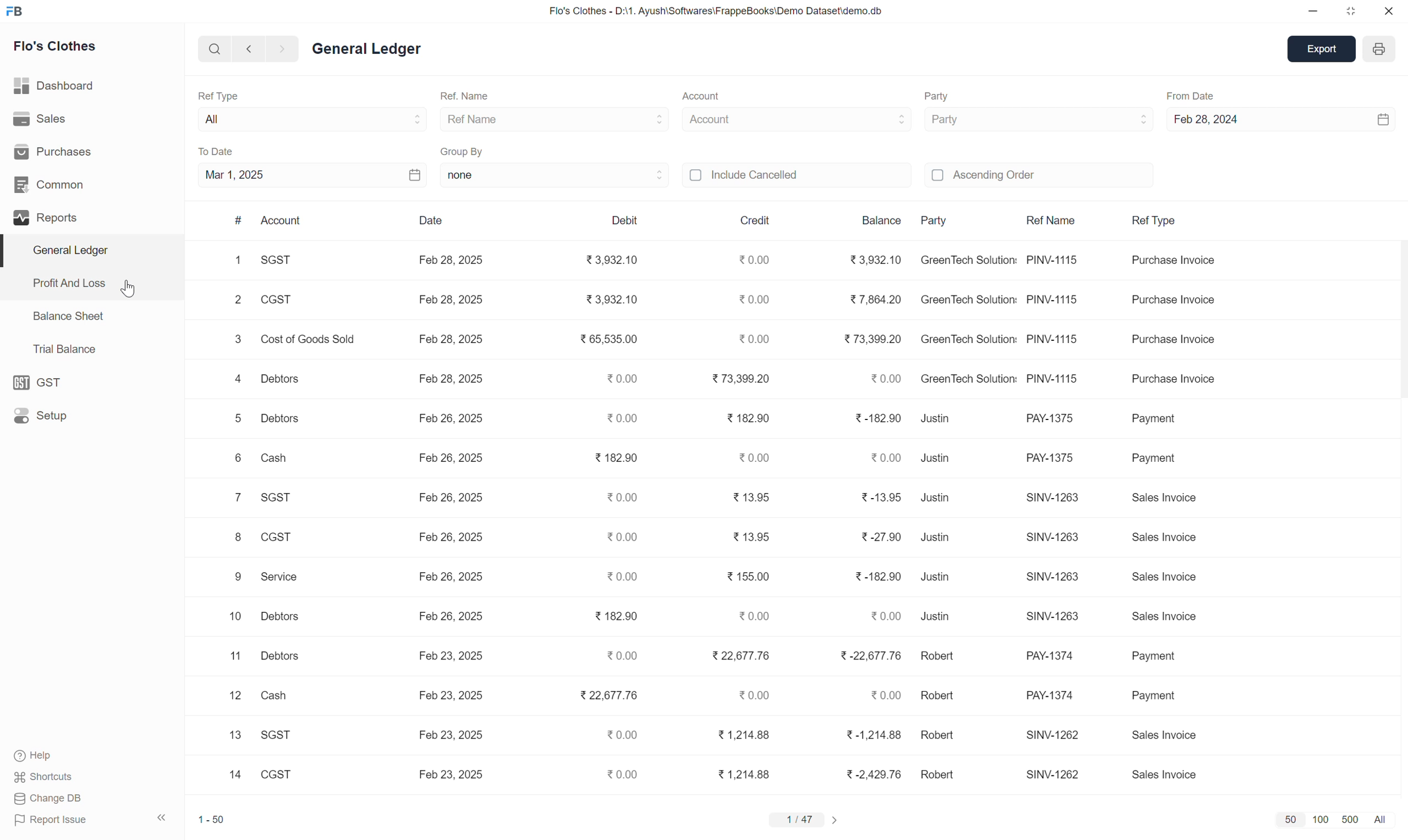  What do you see at coordinates (759, 539) in the screenshot?
I see `₹13.95` at bounding box center [759, 539].